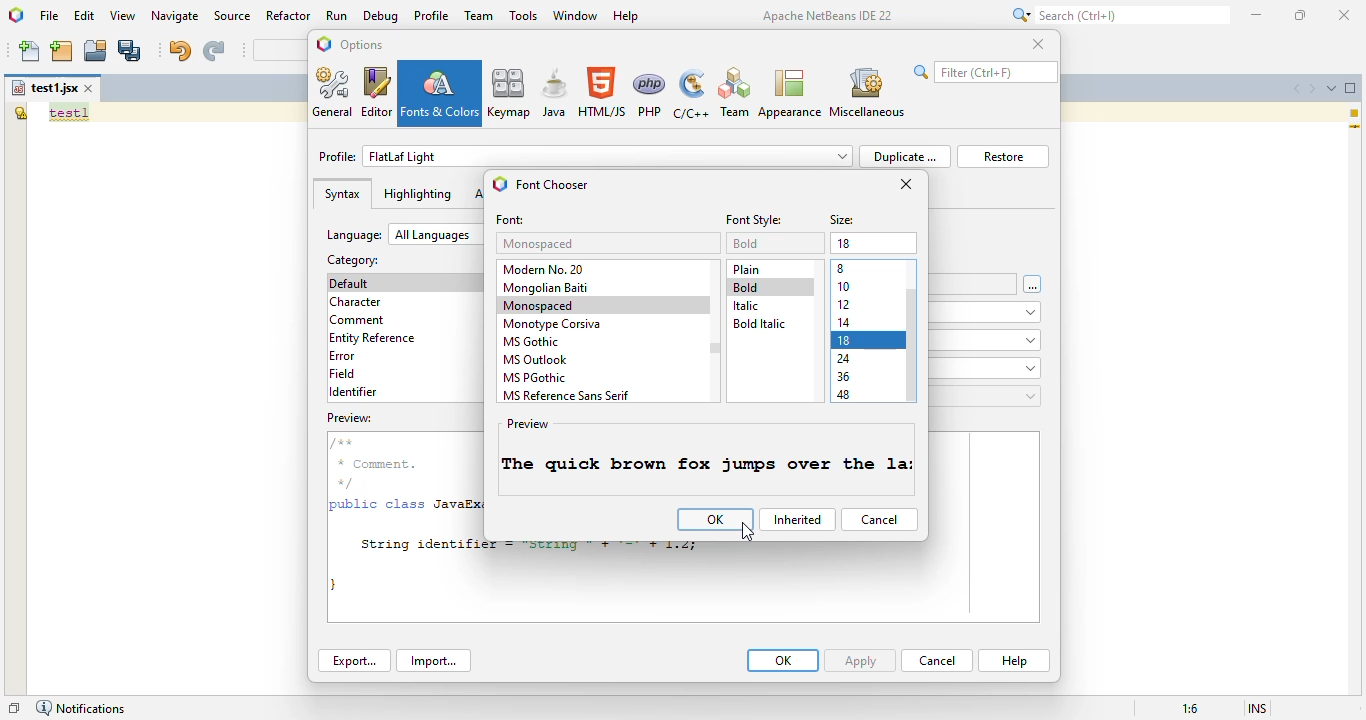  Describe the element at coordinates (62, 51) in the screenshot. I see `new project` at that location.